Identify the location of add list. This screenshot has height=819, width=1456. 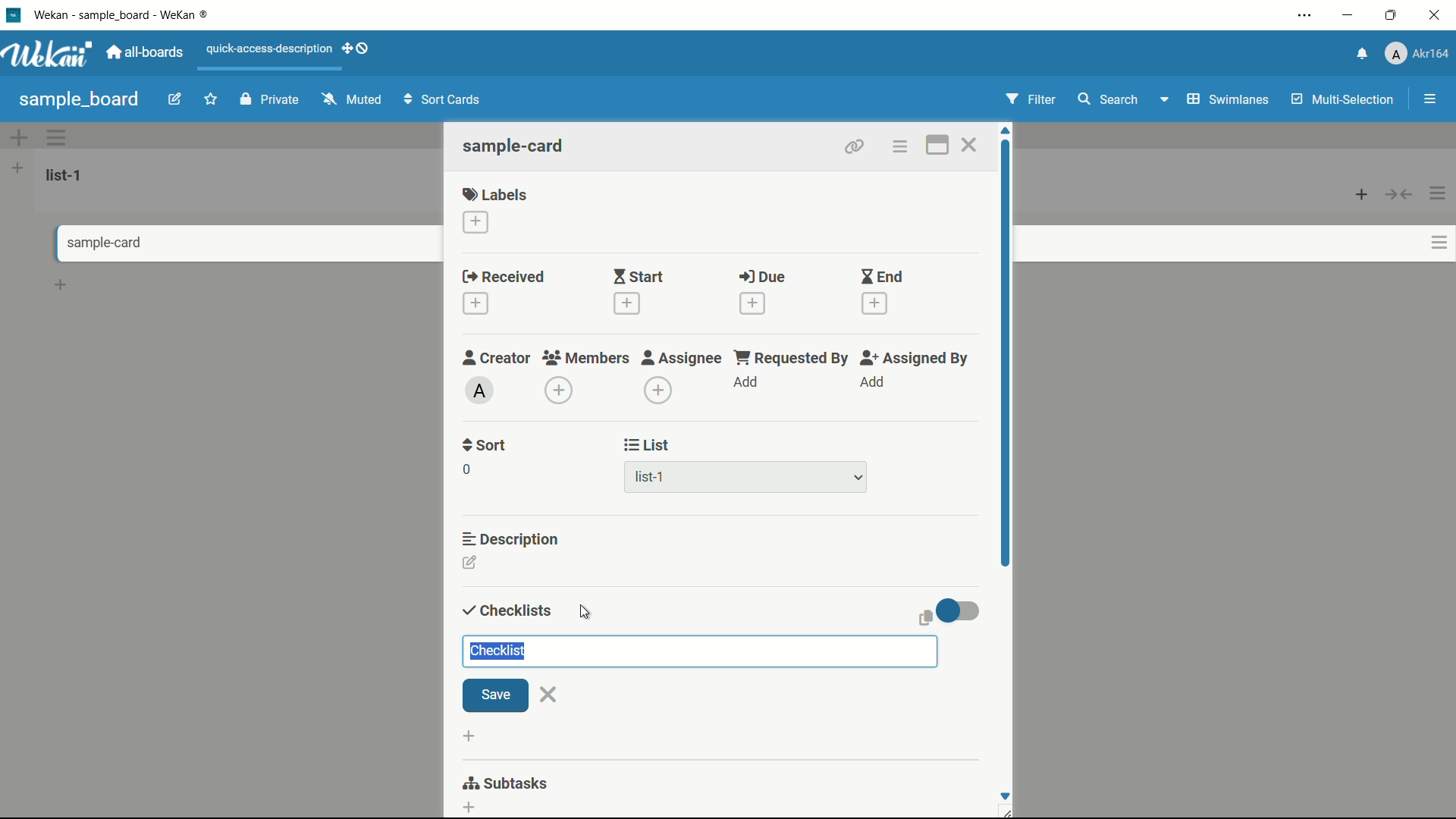
(17, 168).